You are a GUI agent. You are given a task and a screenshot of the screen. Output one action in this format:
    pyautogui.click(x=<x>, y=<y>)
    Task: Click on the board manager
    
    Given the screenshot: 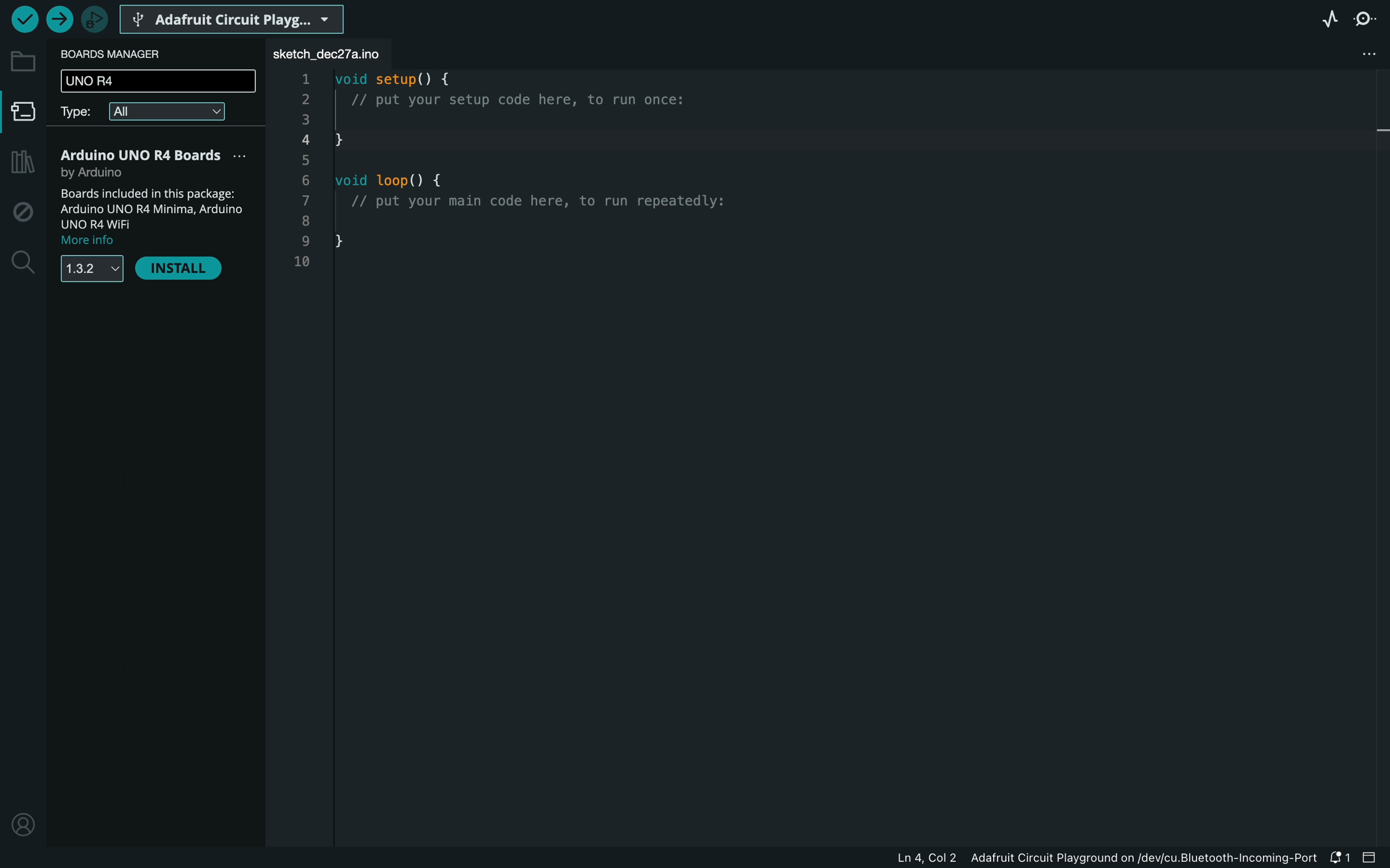 What is the action you would take?
    pyautogui.click(x=25, y=113)
    